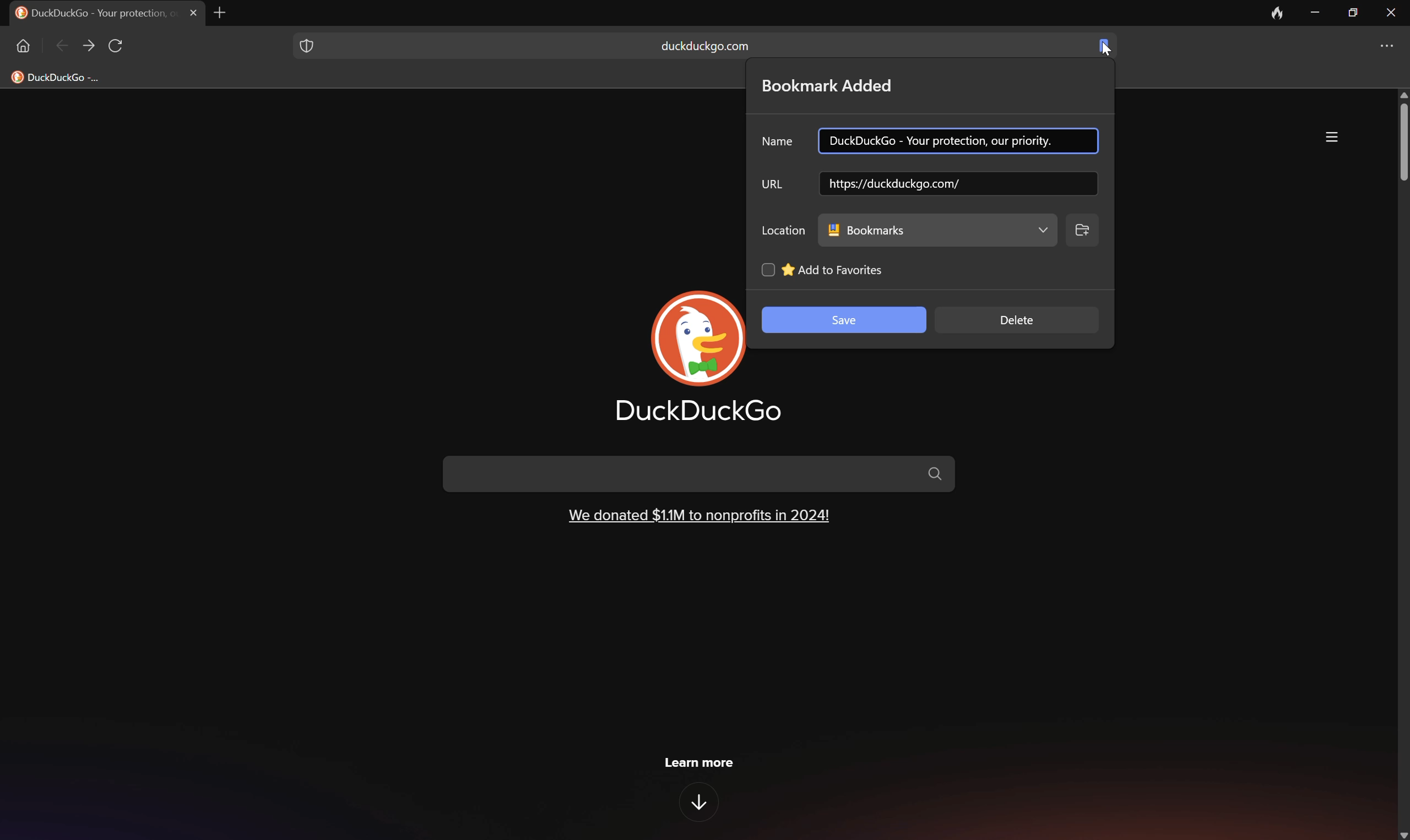 Image resolution: width=1410 pixels, height=840 pixels. I want to click on Cursor, so click(1106, 49).